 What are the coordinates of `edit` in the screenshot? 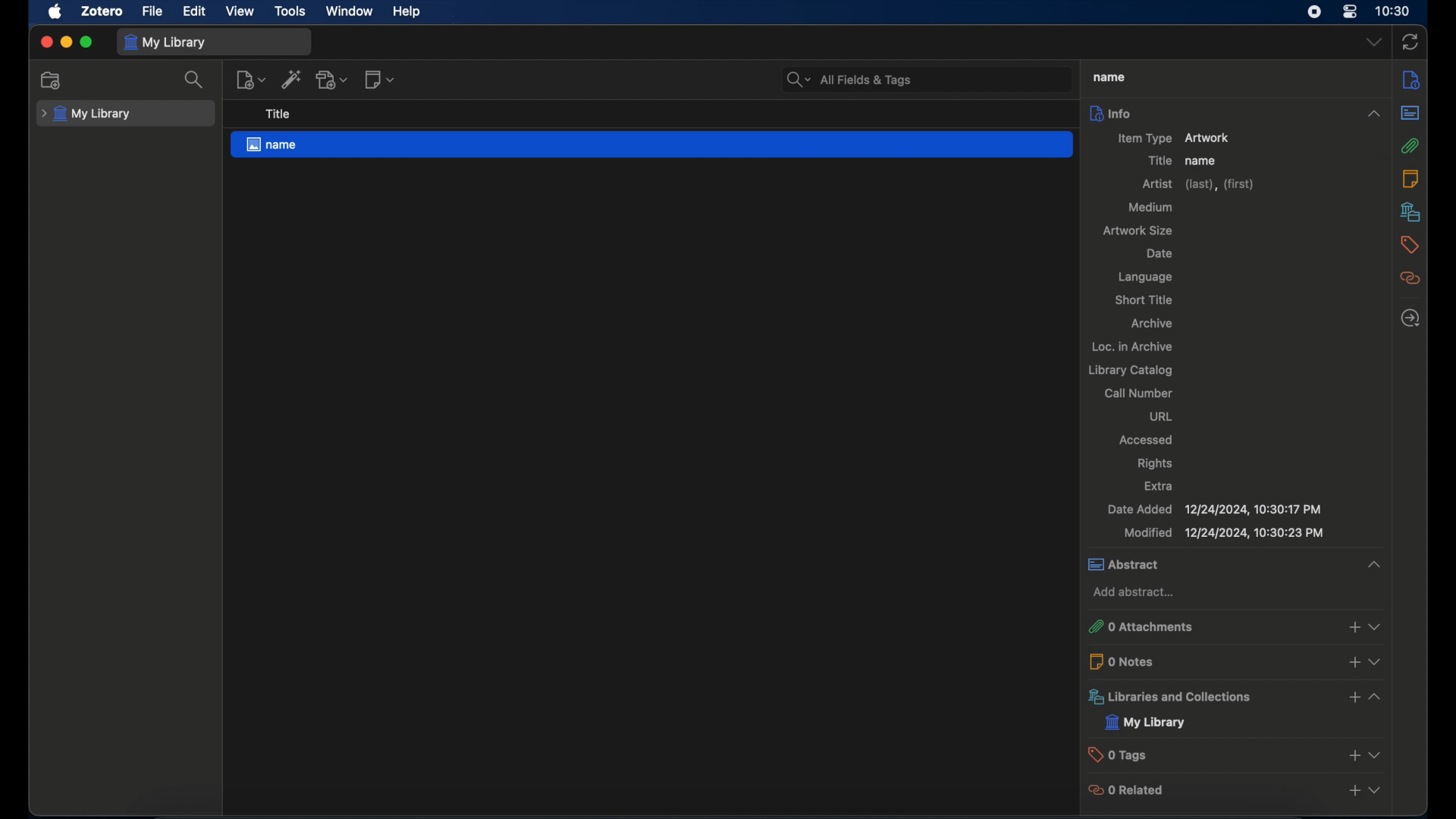 It's located at (196, 11).